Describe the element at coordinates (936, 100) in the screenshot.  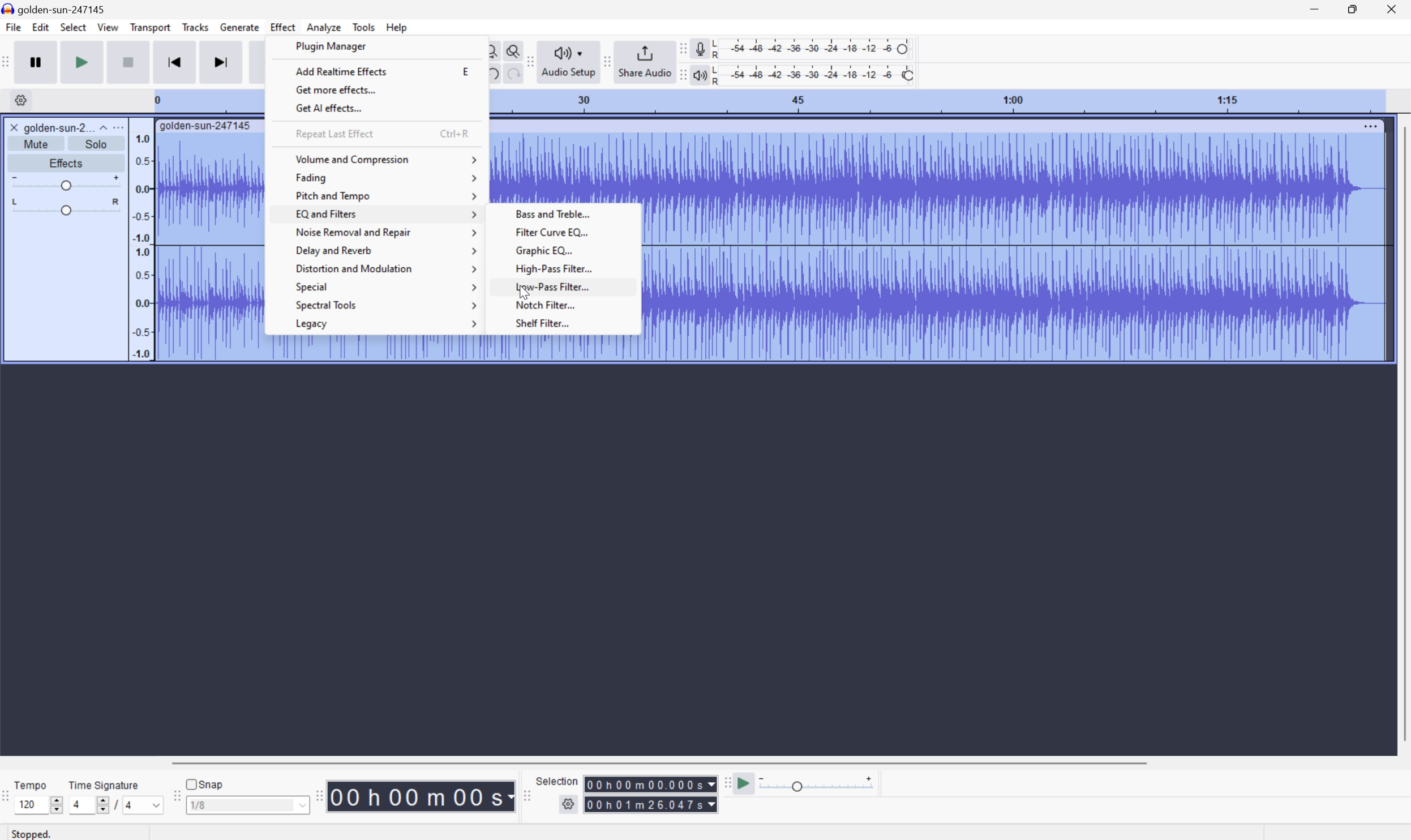
I see `Scale` at that location.